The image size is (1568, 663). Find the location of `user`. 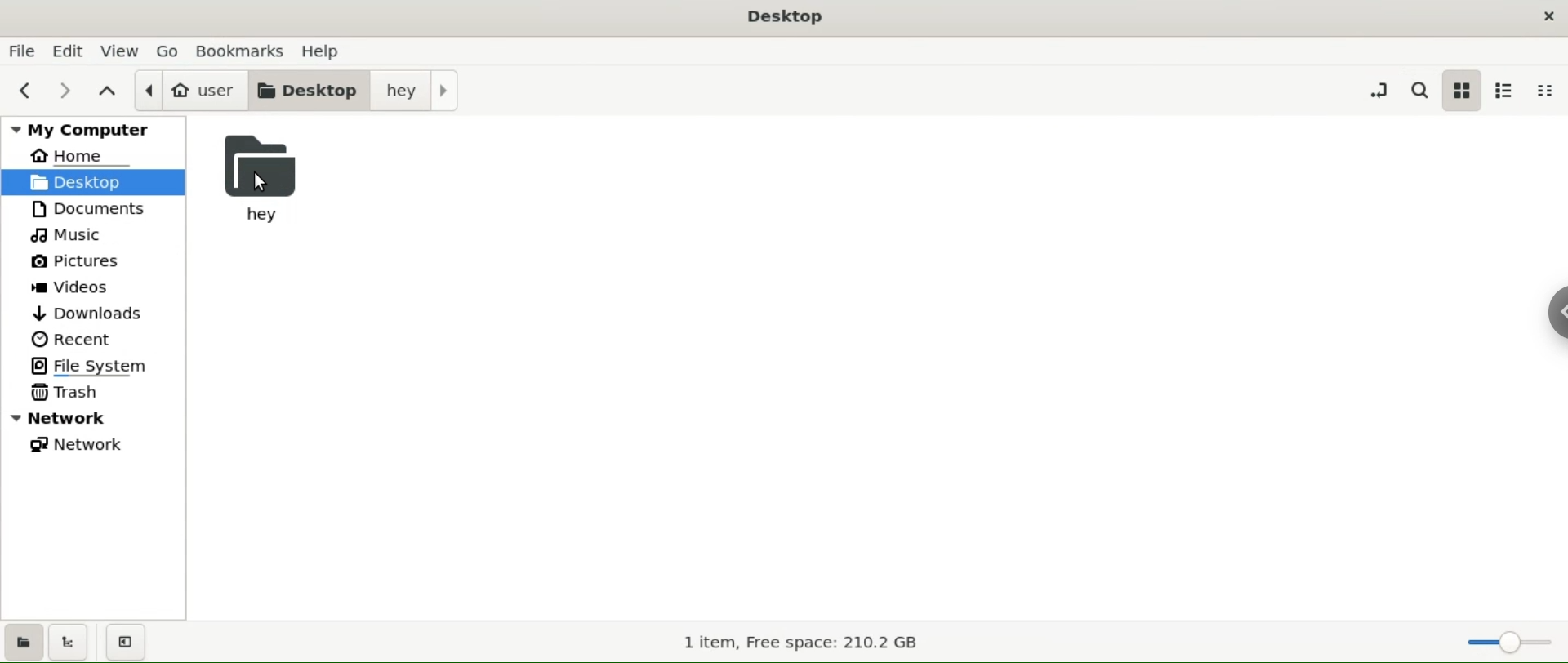

user is located at coordinates (191, 91).